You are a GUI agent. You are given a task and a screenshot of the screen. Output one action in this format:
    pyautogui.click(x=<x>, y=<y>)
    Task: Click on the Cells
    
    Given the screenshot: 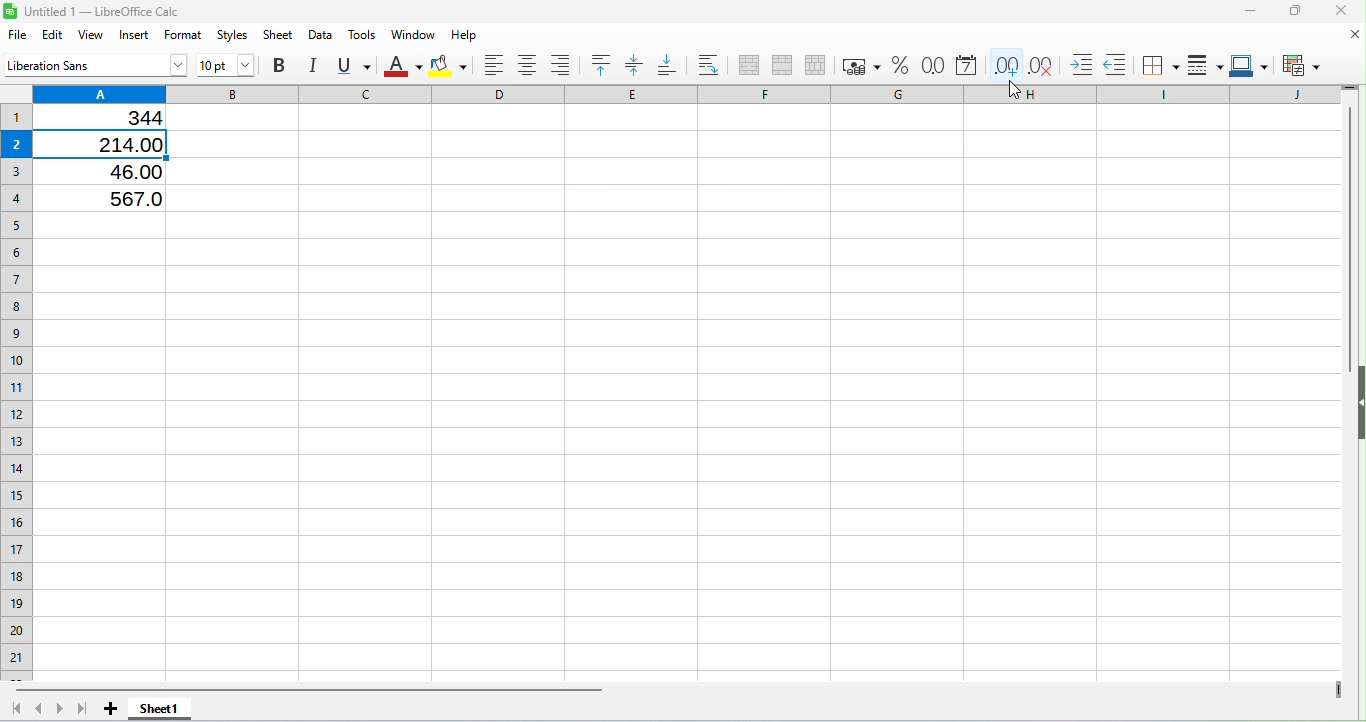 What is the action you would take?
    pyautogui.click(x=688, y=440)
    